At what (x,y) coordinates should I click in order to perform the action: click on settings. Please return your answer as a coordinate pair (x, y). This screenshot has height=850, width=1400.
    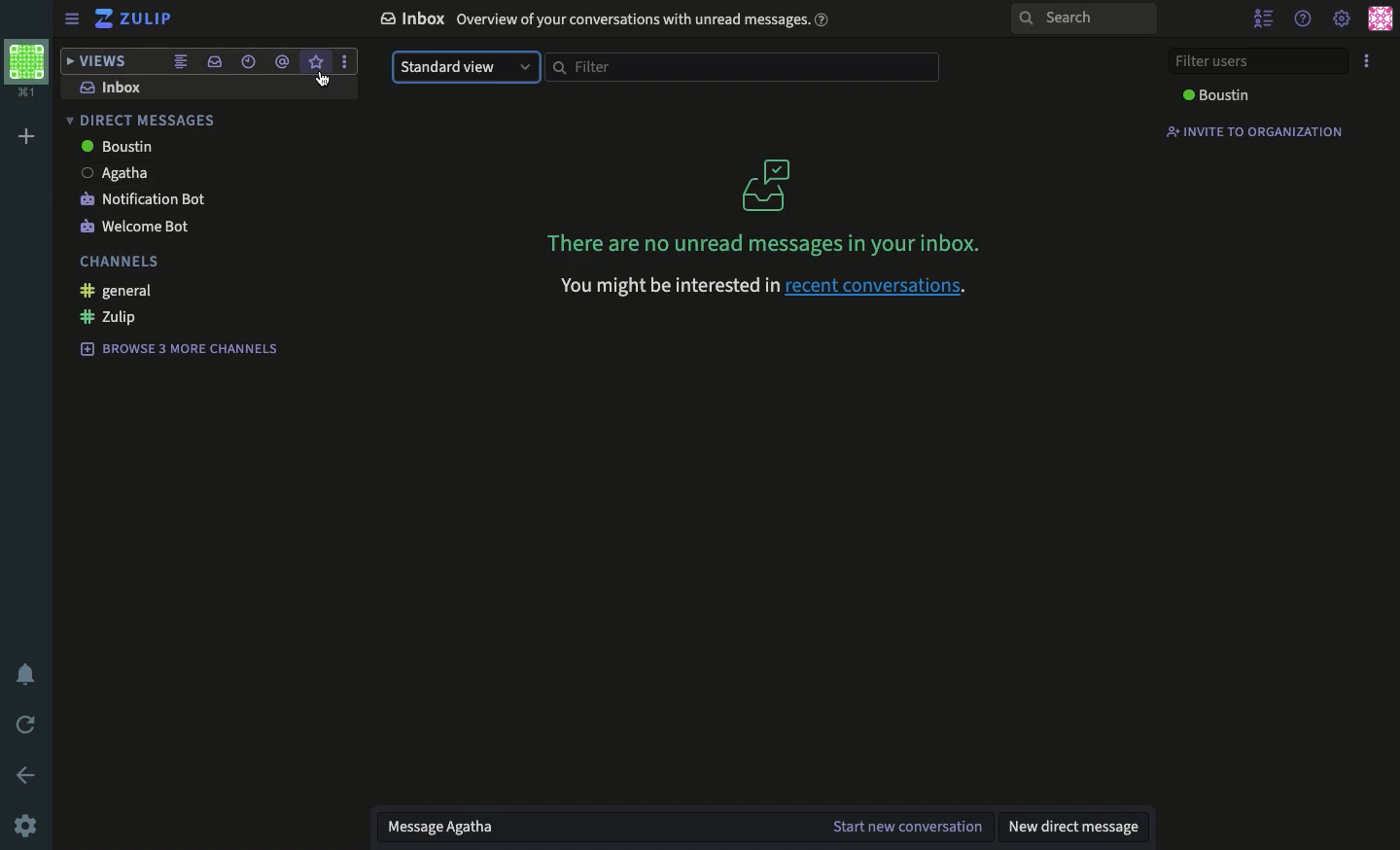
    Looking at the image, I should click on (30, 824).